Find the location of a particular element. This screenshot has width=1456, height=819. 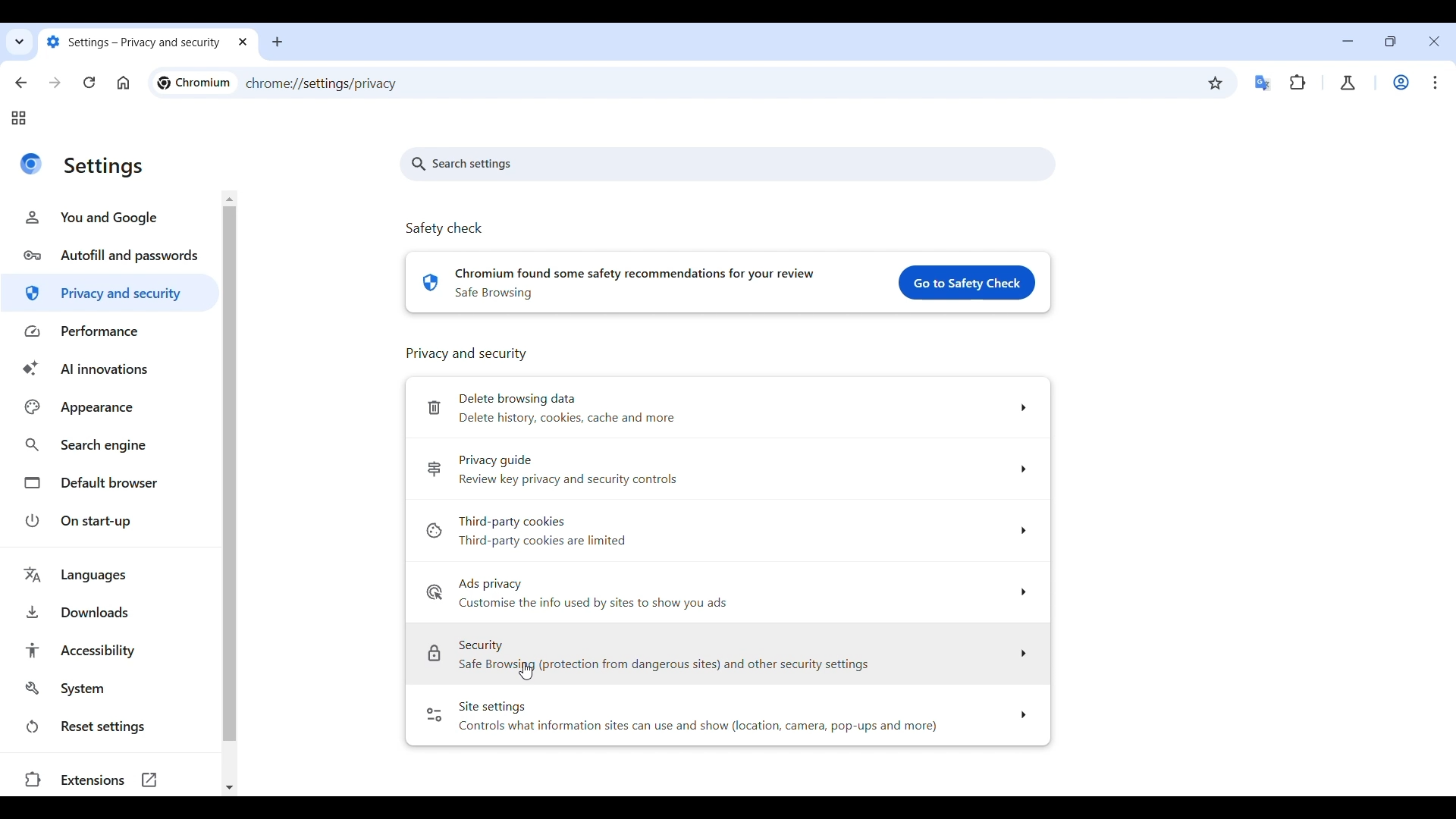

Close interface is located at coordinates (1434, 42).